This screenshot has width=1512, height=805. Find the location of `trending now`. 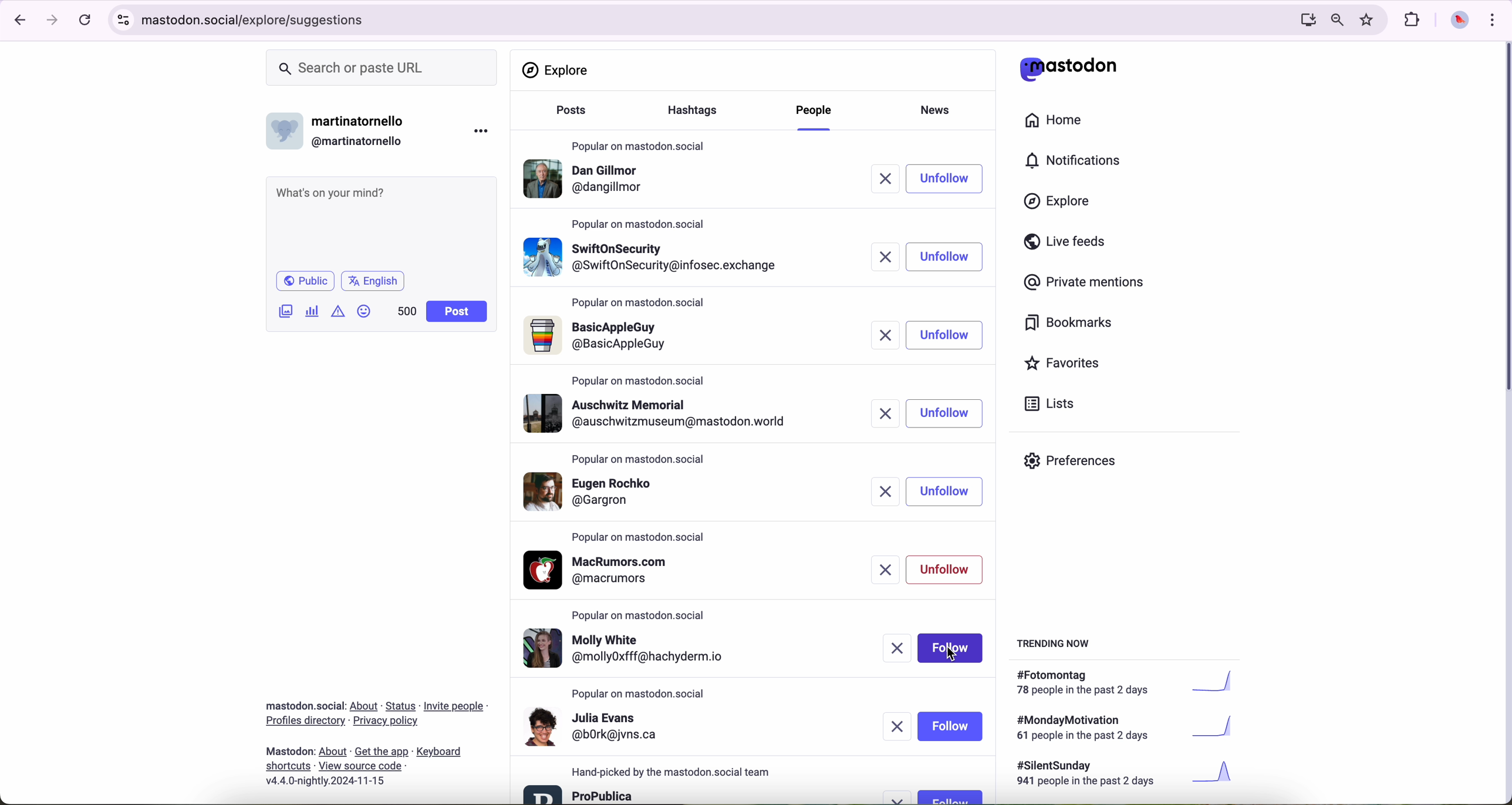

trending now is located at coordinates (1055, 642).